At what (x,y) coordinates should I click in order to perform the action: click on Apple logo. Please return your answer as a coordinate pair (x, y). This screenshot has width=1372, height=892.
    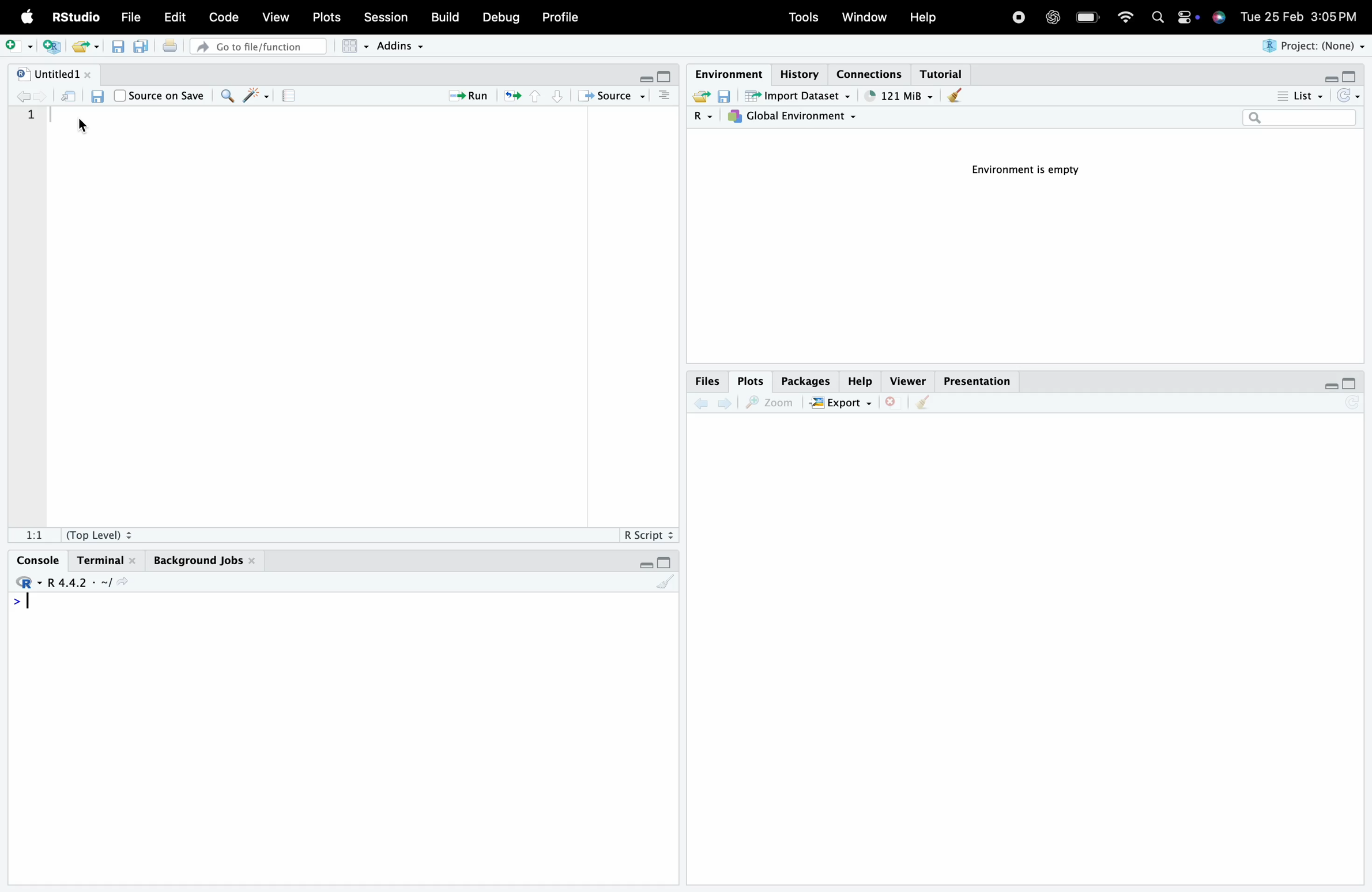
    Looking at the image, I should click on (25, 17).